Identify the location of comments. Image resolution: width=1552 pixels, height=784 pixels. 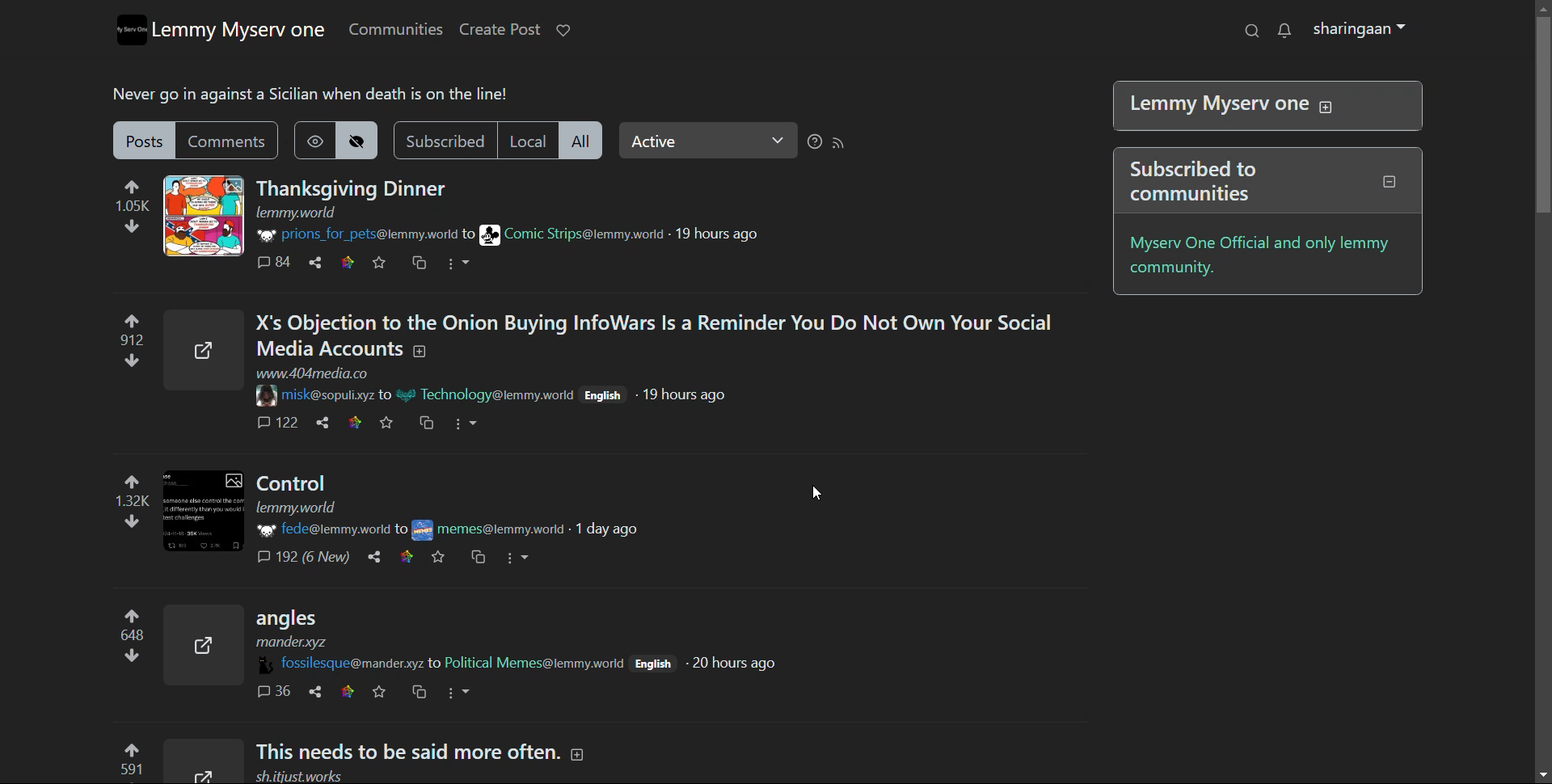
(230, 142).